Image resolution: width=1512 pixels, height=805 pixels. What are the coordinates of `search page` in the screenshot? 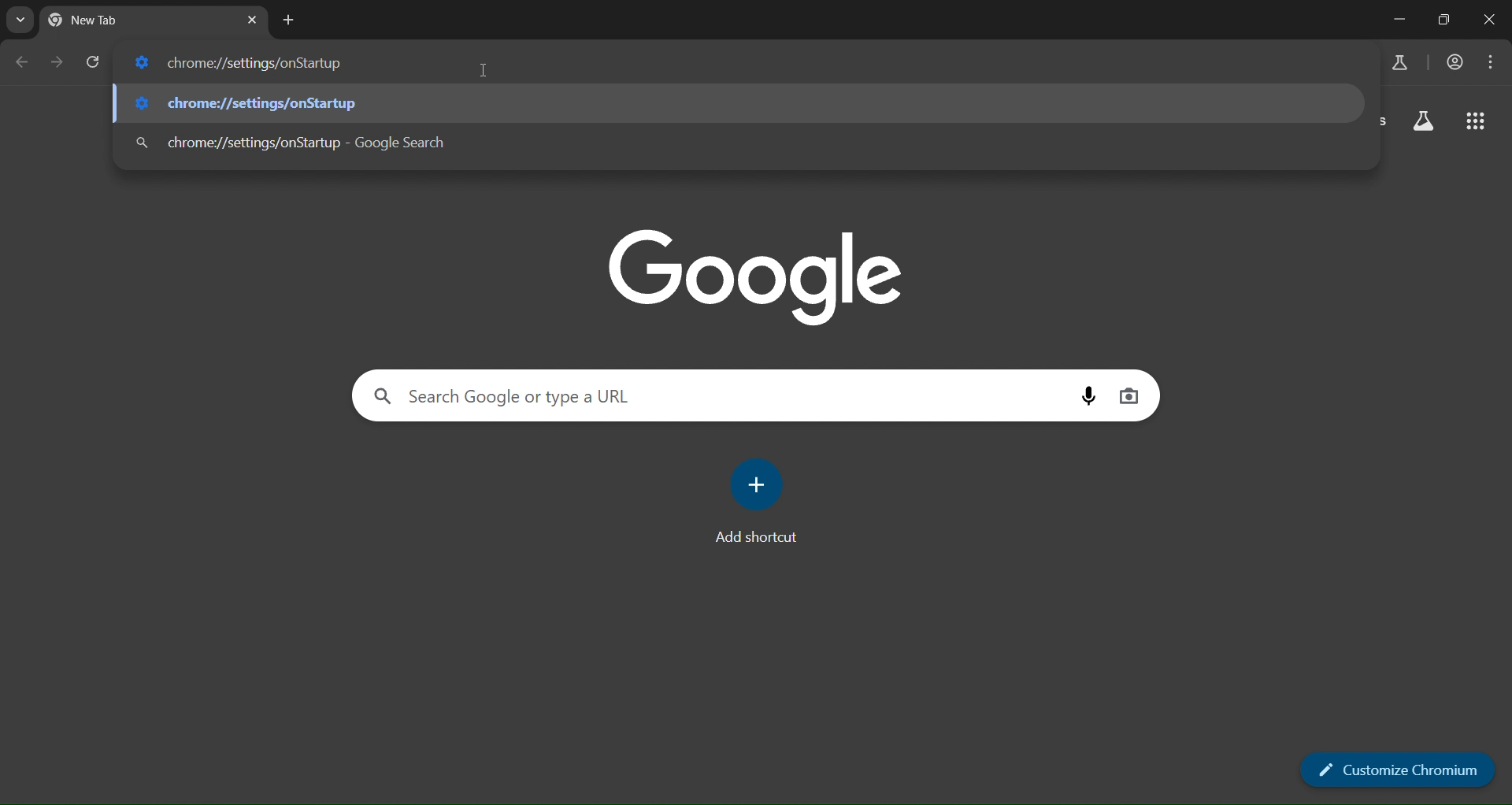 It's located at (15, 21).